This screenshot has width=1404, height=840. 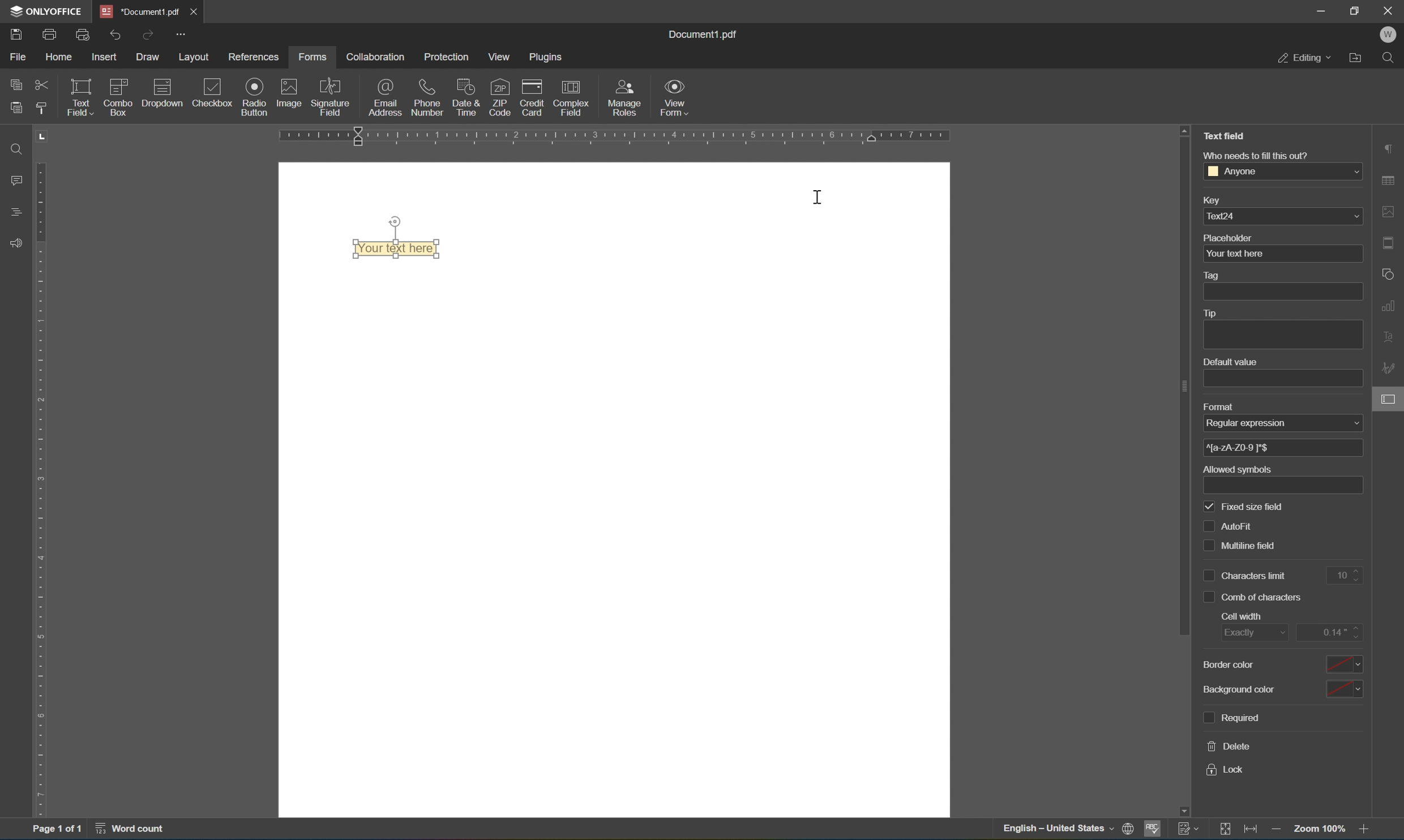 I want to click on quick print, so click(x=84, y=35).